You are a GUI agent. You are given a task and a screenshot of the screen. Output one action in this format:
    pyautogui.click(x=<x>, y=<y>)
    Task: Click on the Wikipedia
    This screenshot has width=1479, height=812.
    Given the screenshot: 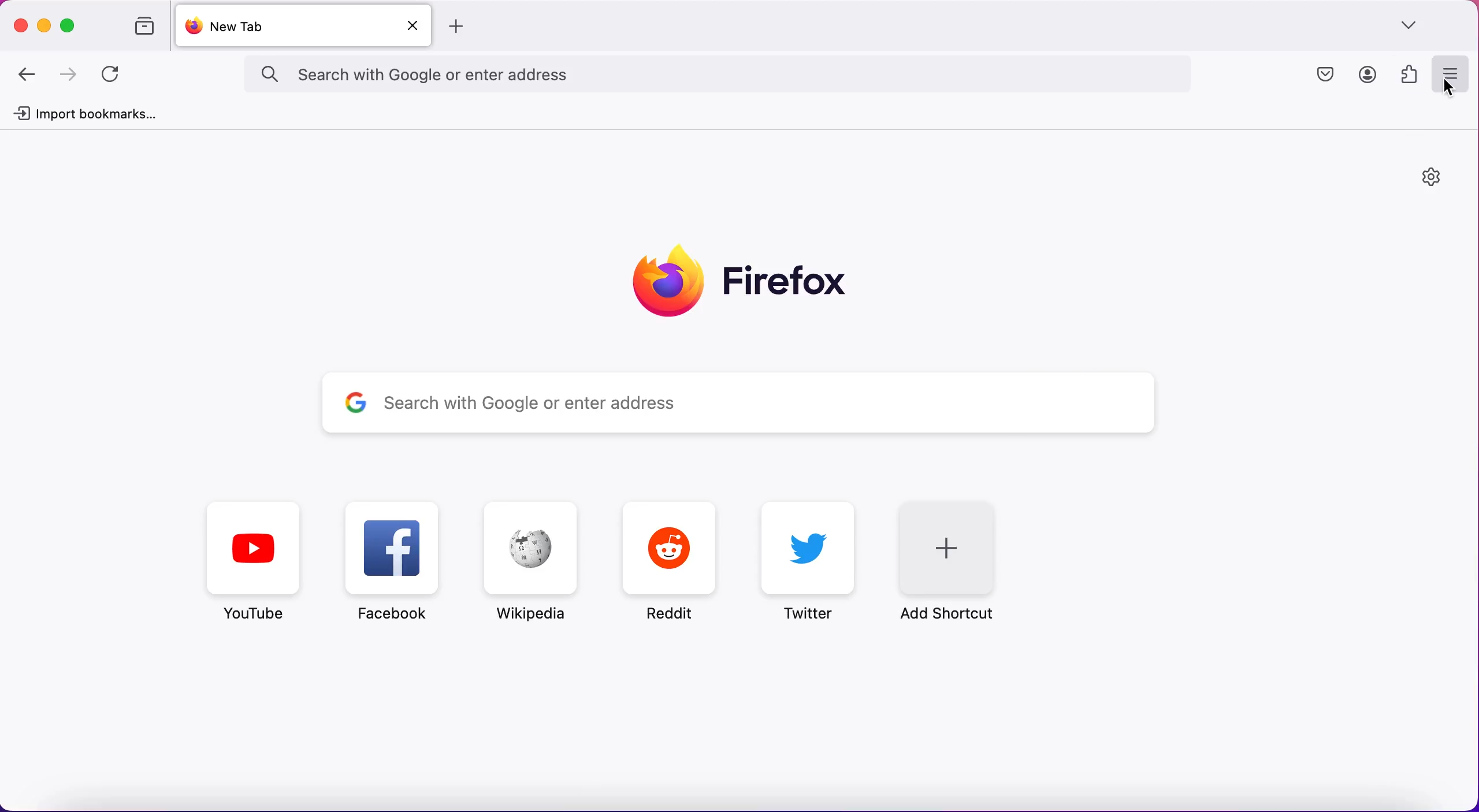 What is the action you would take?
    pyautogui.click(x=527, y=562)
    